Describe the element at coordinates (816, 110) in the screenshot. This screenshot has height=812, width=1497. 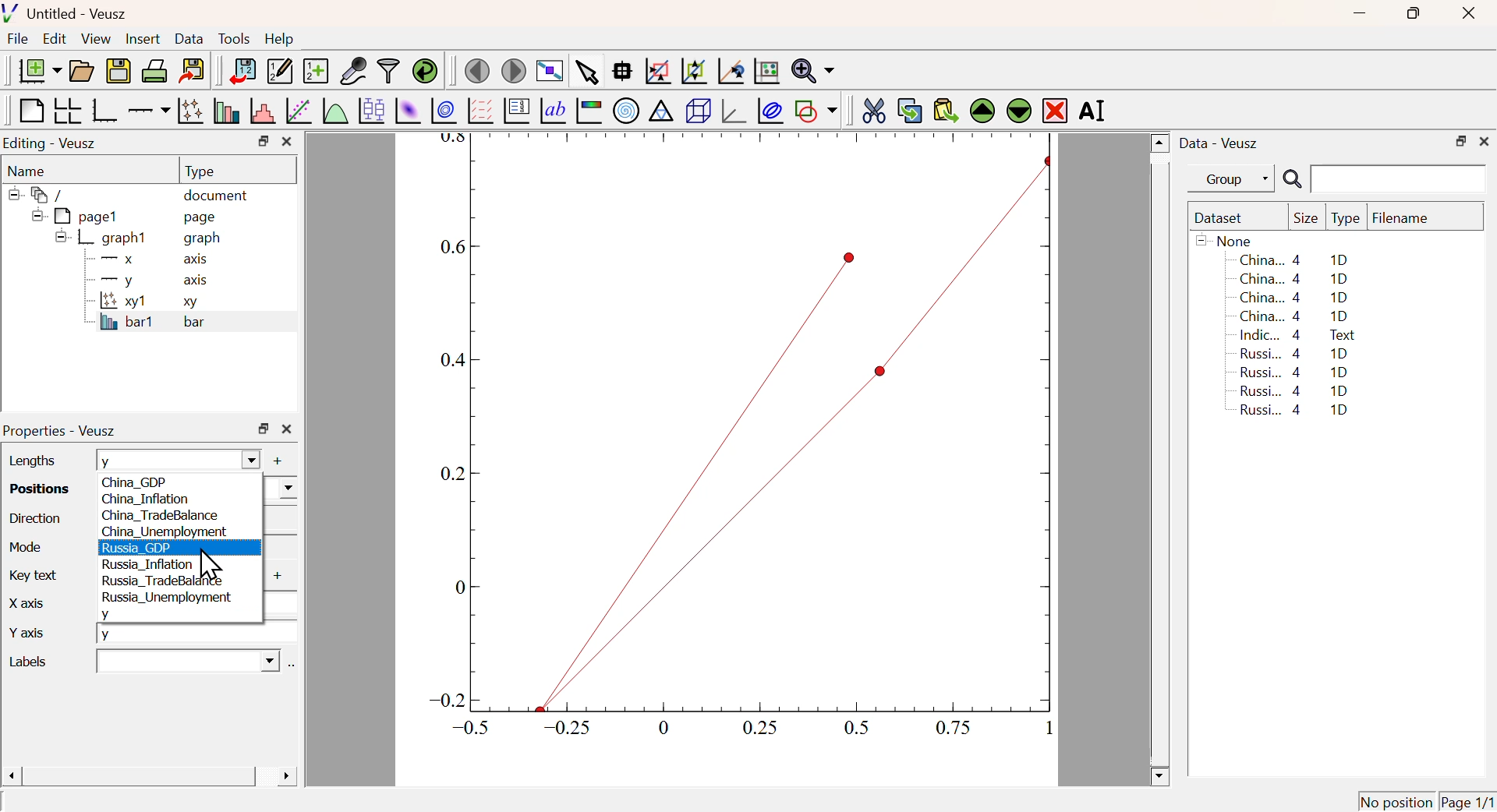
I see `Add a shape` at that location.